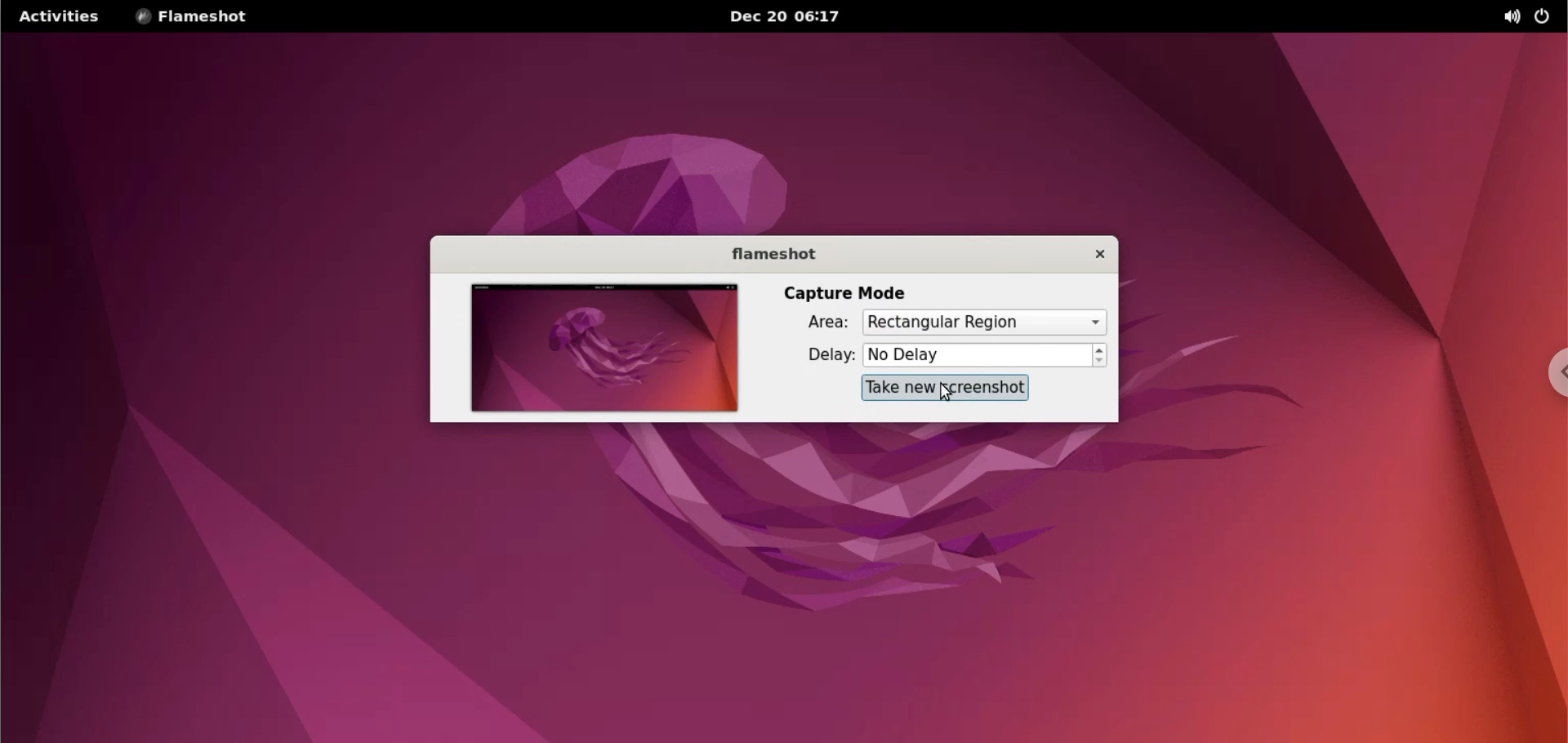  What do you see at coordinates (58, 19) in the screenshot?
I see `activities` at bounding box center [58, 19].